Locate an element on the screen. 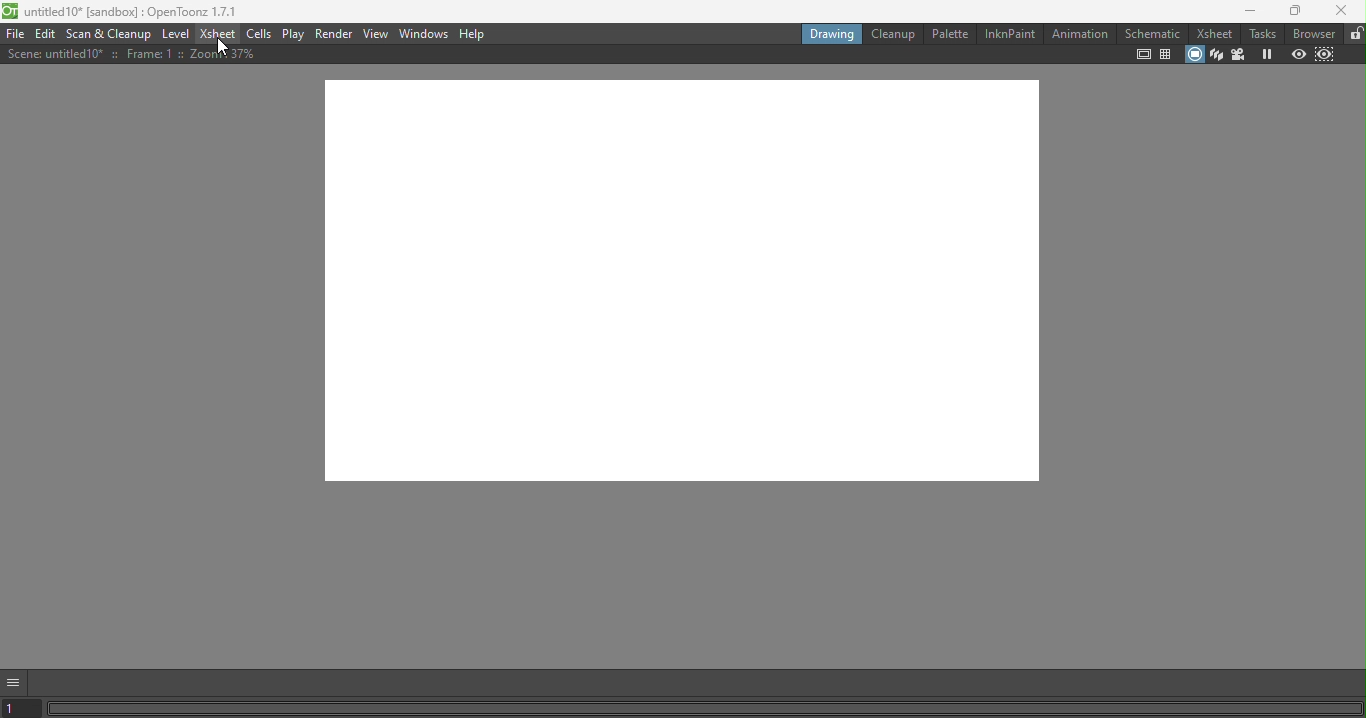 The image size is (1366, 718). Maximize is located at coordinates (1292, 12).